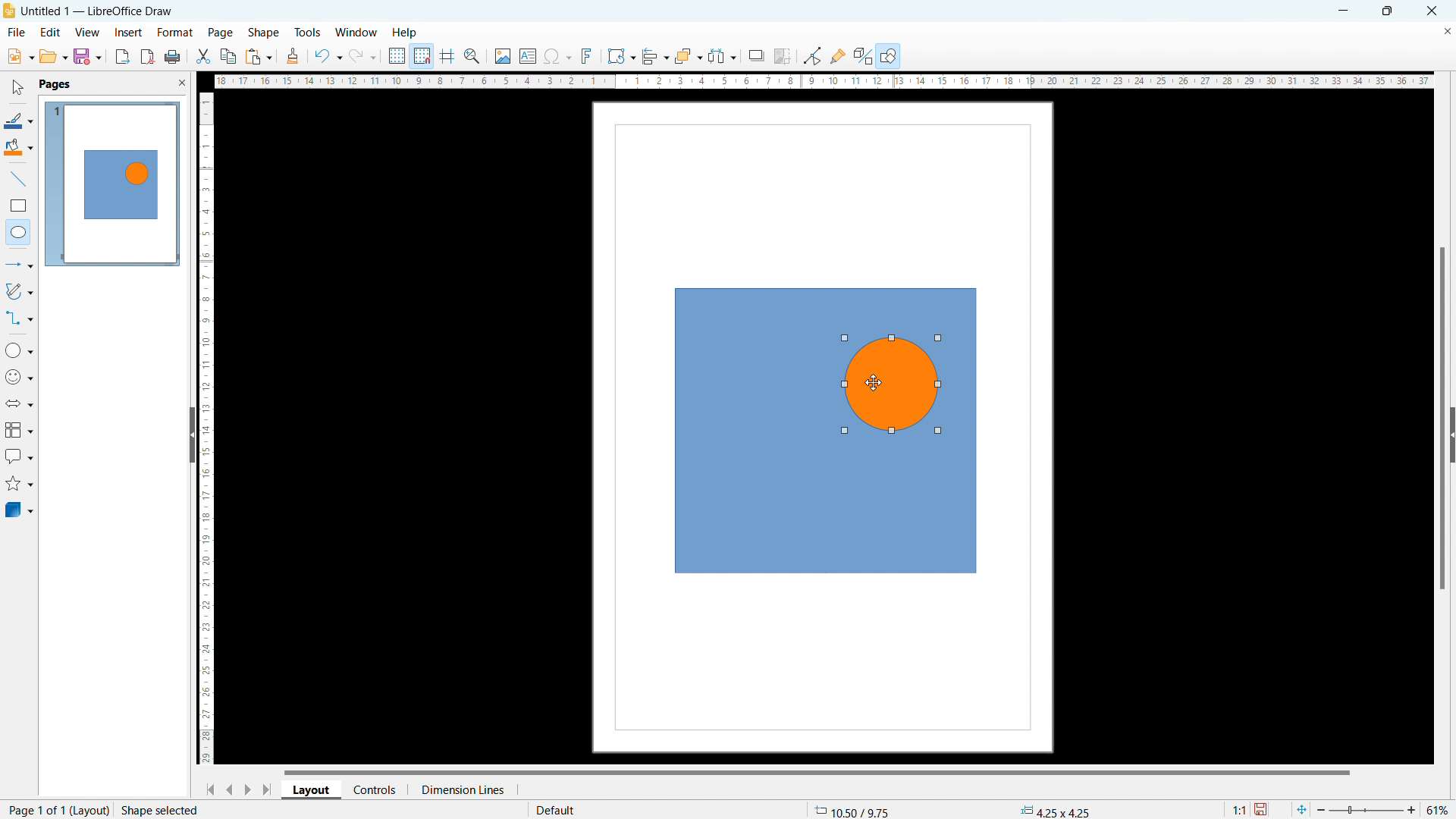  What do you see at coordinates (147, 57) in the screenshot?
I see `export directly as pdf` at bounding box center [147, 57].